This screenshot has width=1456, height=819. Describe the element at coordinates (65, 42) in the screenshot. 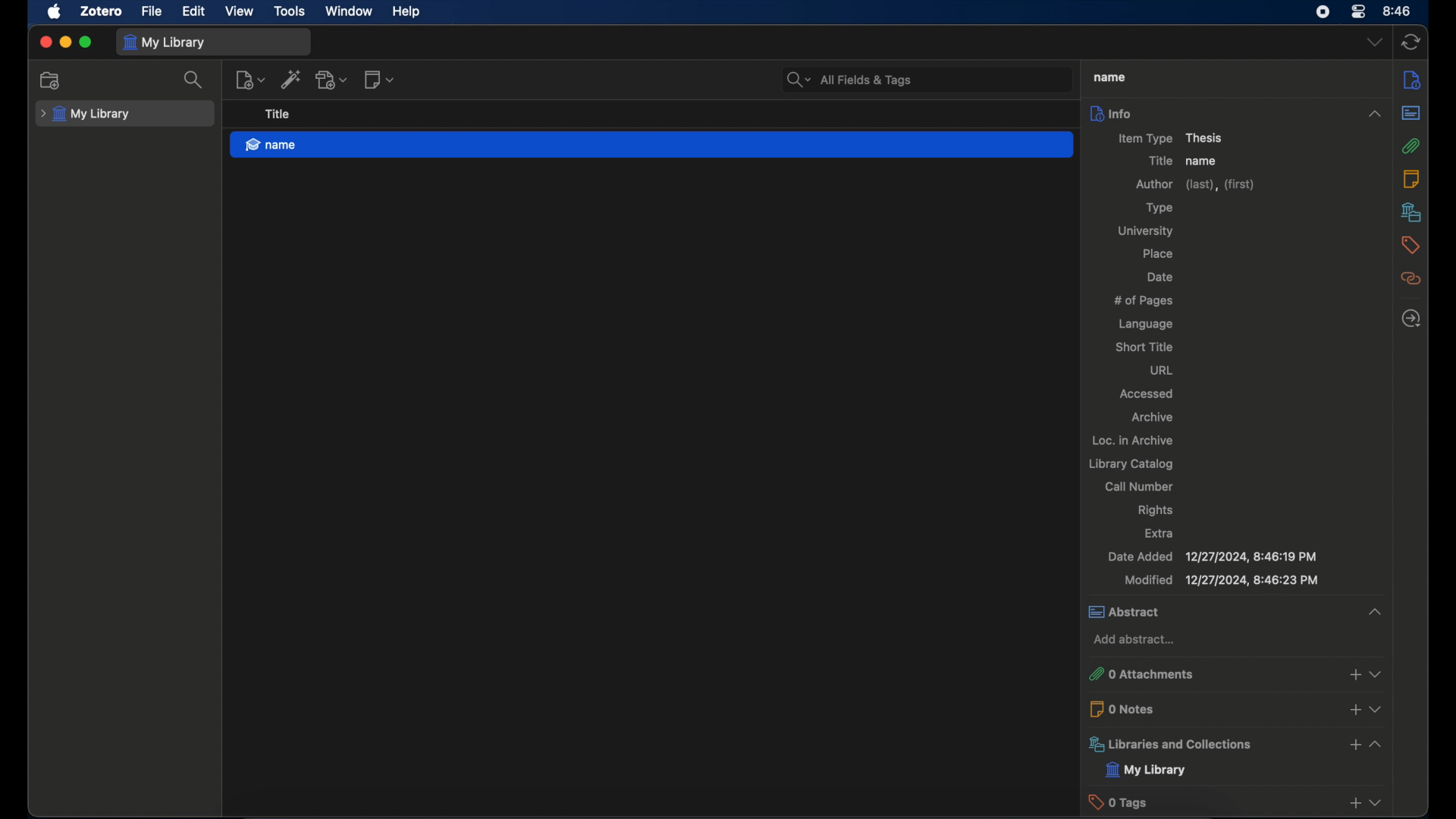

I see `minimize` at that location.